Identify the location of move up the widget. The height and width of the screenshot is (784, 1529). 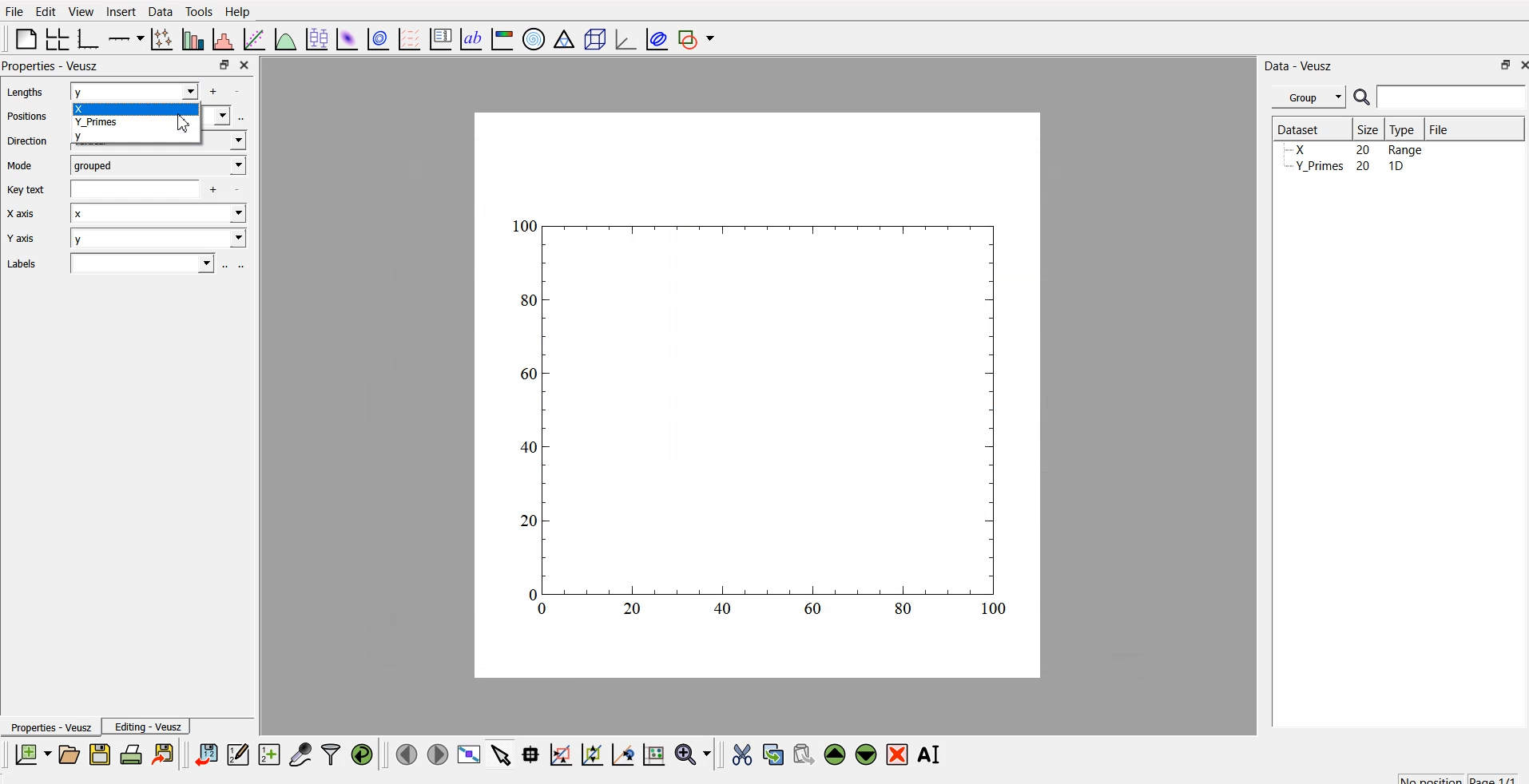
(833, 754).